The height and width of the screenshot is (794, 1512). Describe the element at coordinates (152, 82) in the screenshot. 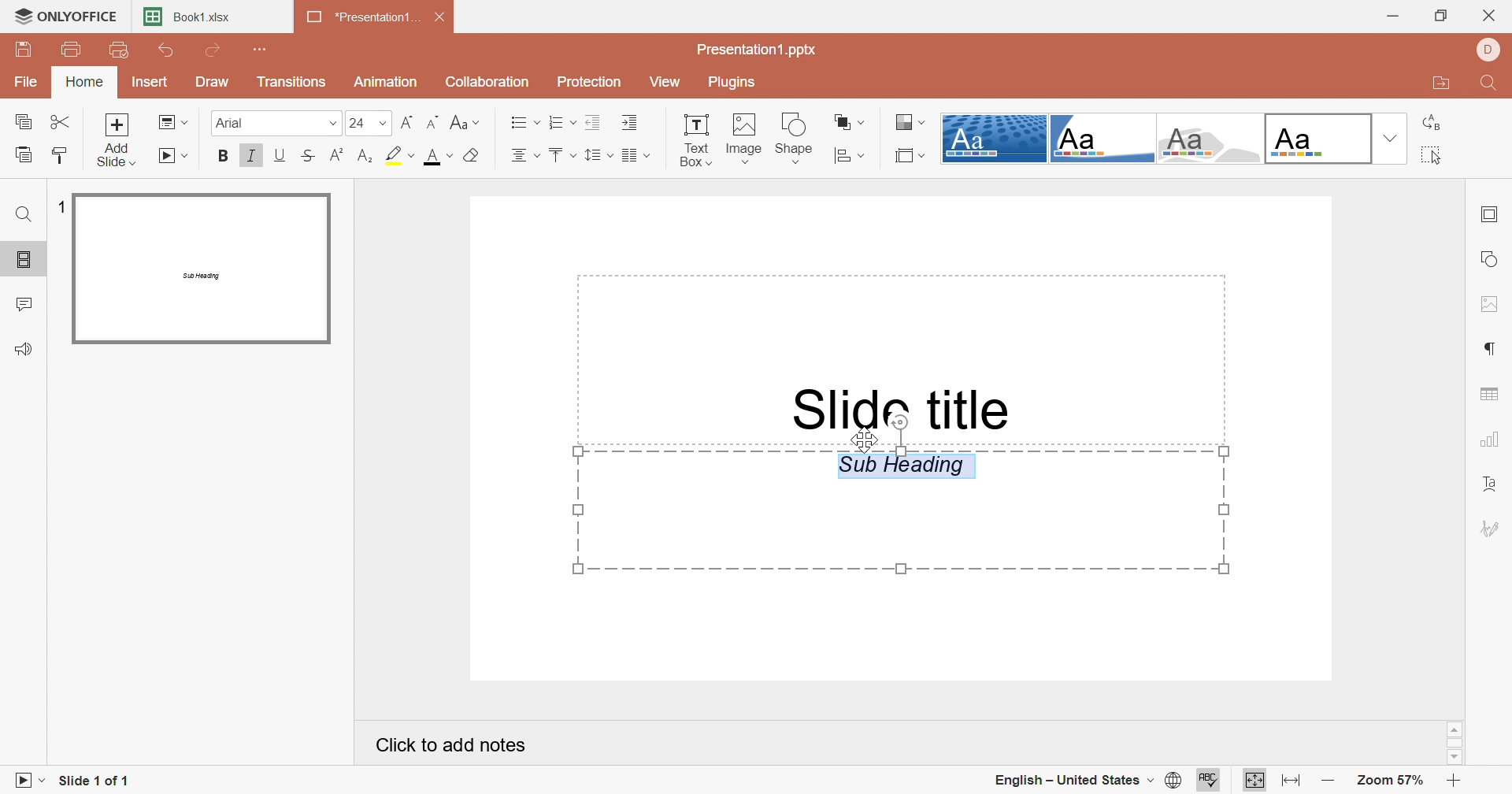

I see `Insert` at that location.